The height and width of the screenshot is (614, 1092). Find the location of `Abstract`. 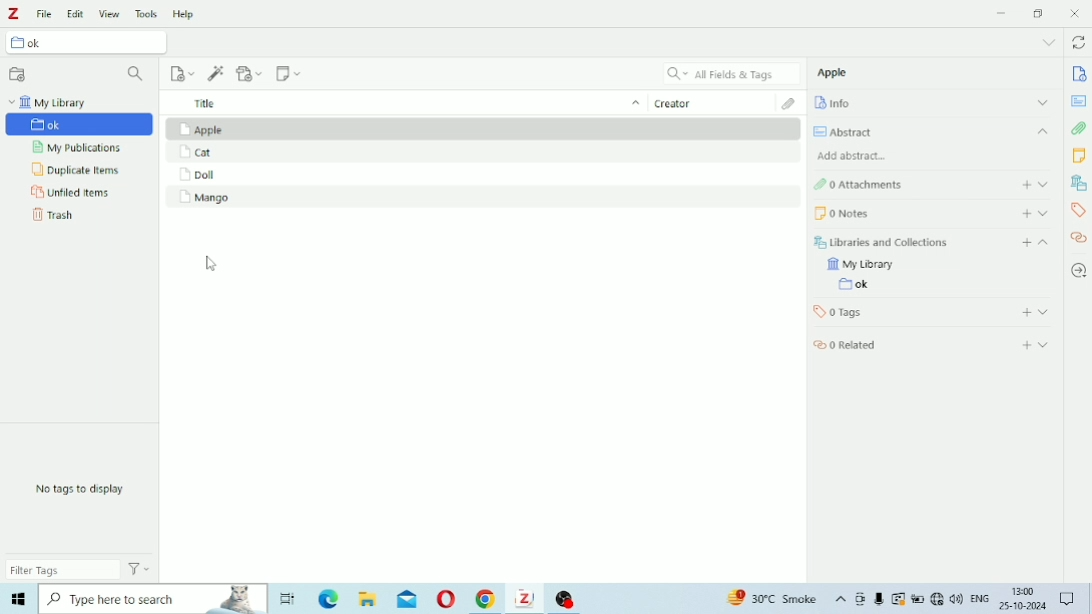

Abstract is located at coordinates (933, 131).